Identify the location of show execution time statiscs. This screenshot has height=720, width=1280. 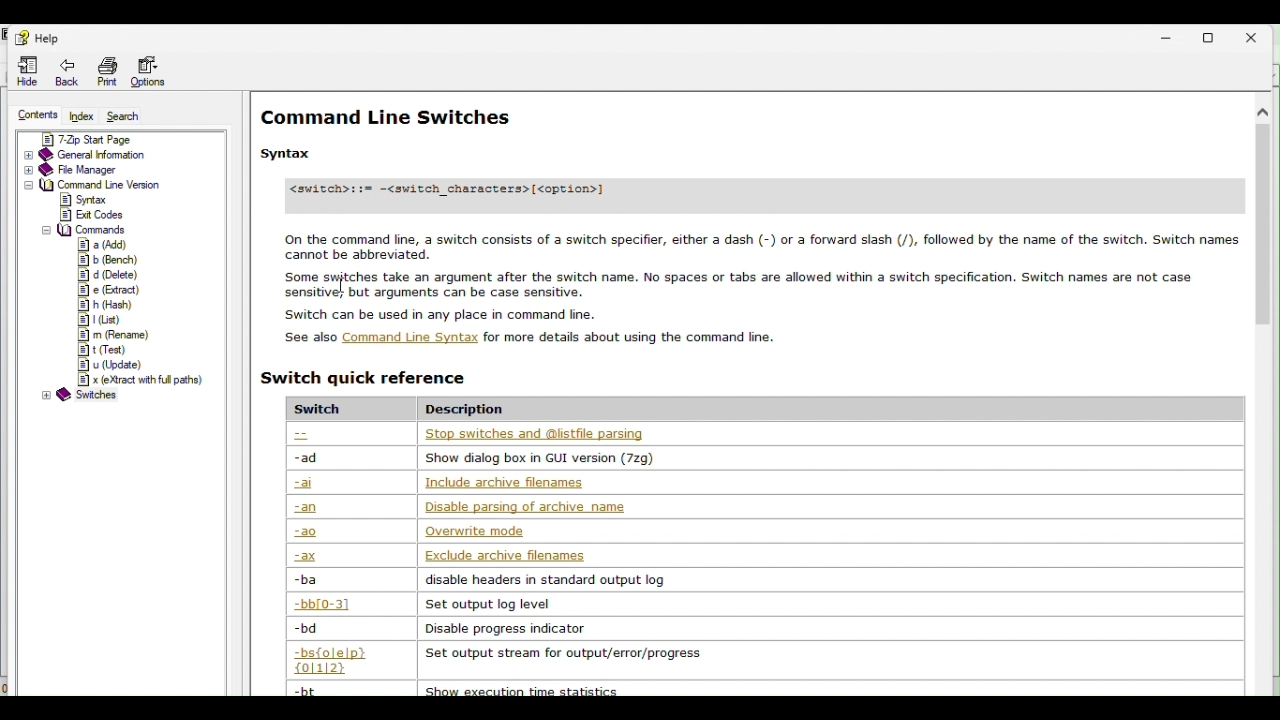
(524, 689).